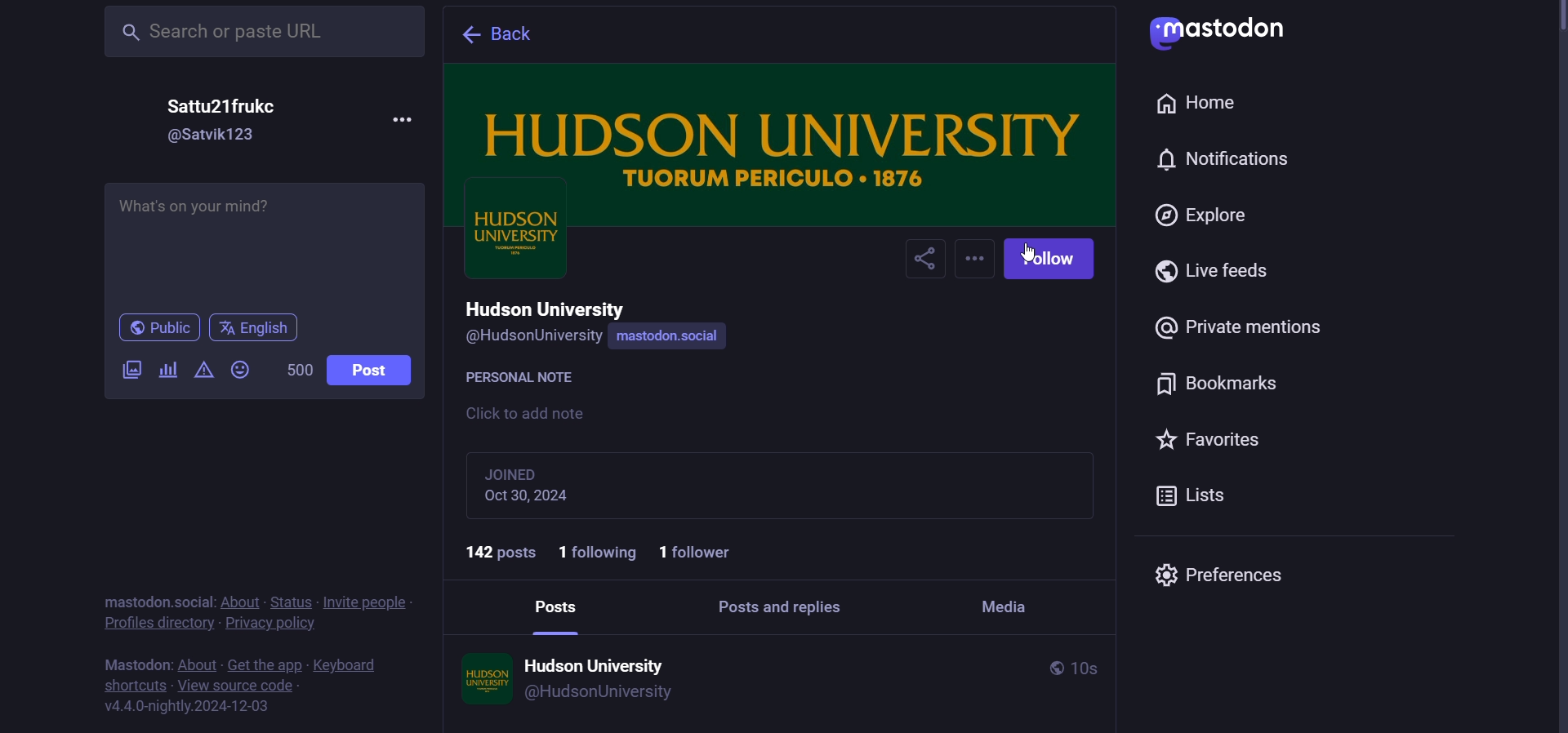 The width and height of the screenshot is (1568, 733). What do you see at coordinates (493, 551) in the screenshot?
I see `142 posts` at bounding box center [493, 551].